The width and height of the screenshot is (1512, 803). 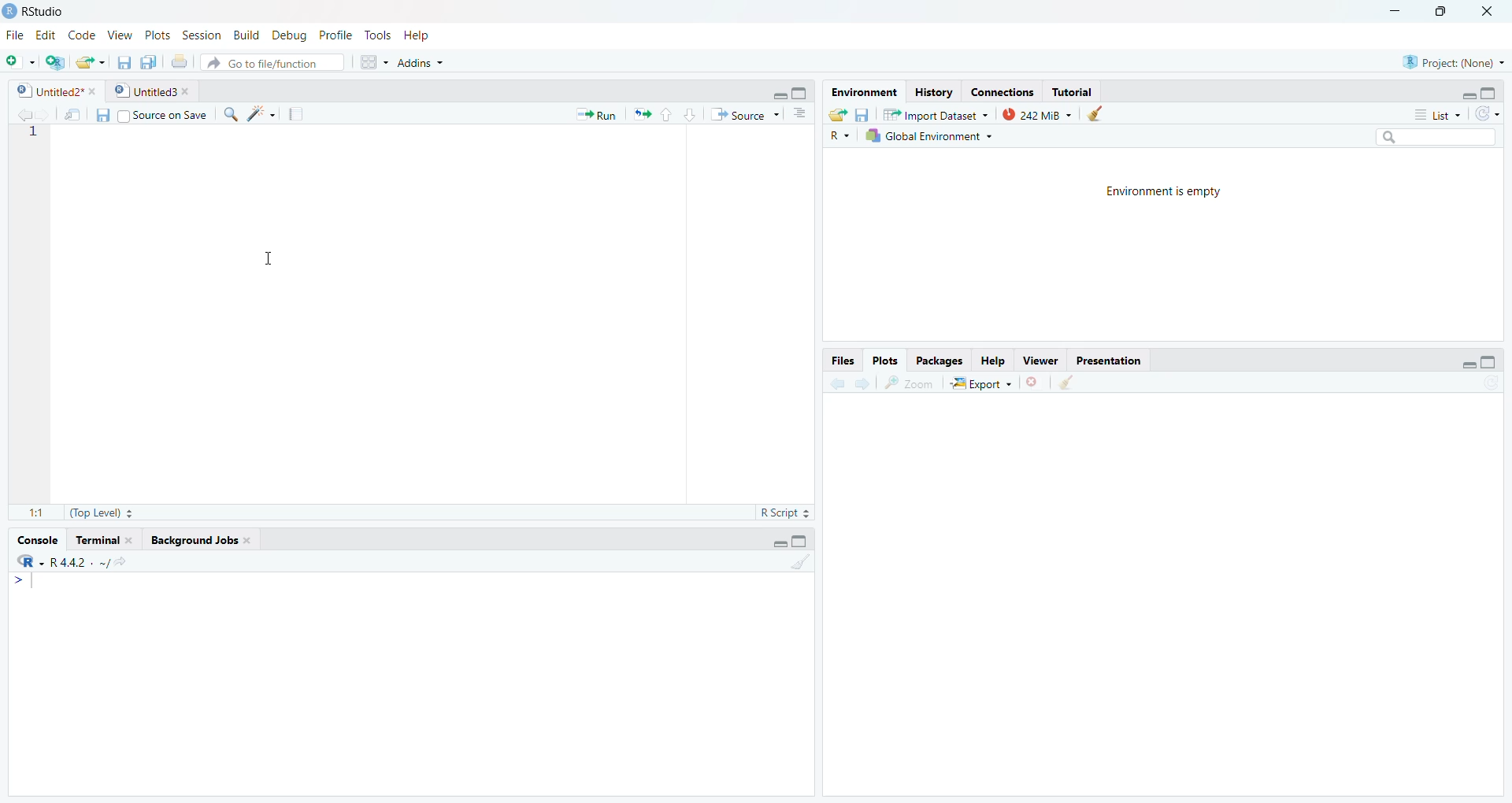 I want to click on Maximize, so click(x=1492, y=94).